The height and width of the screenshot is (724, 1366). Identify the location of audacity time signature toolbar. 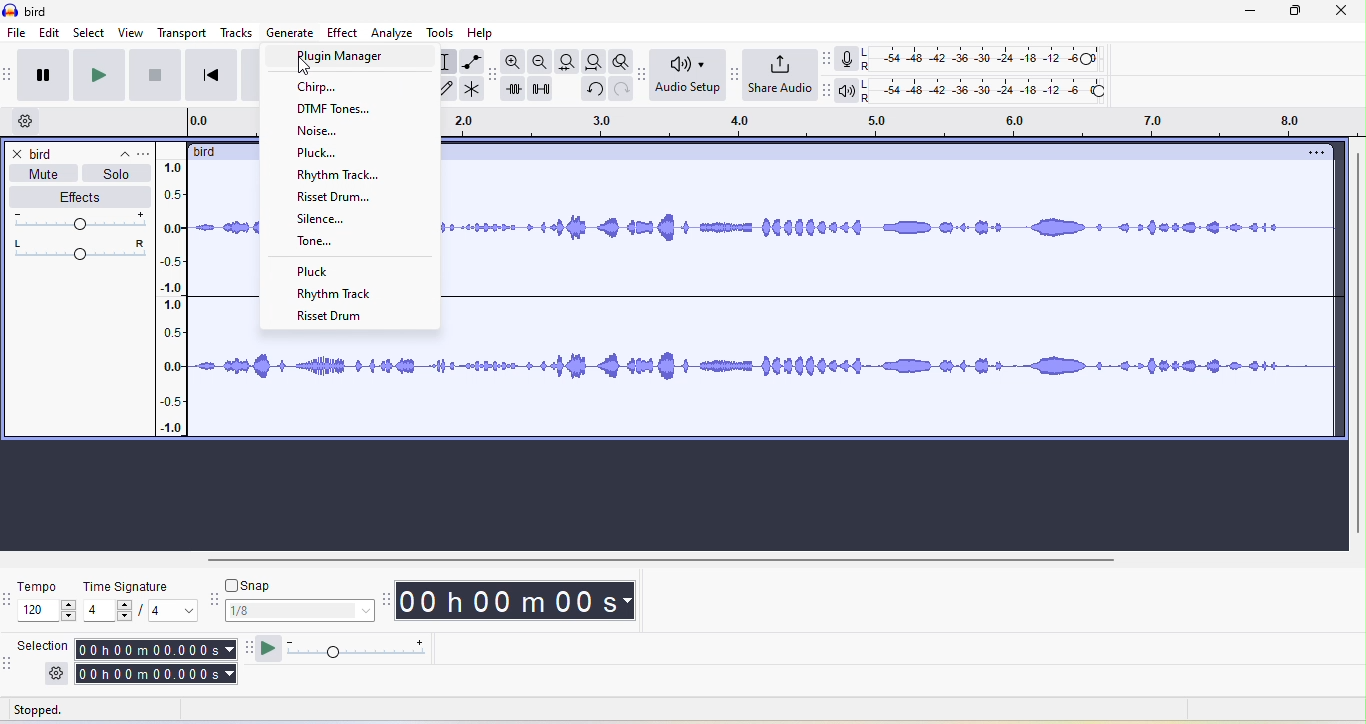
(9, 600).